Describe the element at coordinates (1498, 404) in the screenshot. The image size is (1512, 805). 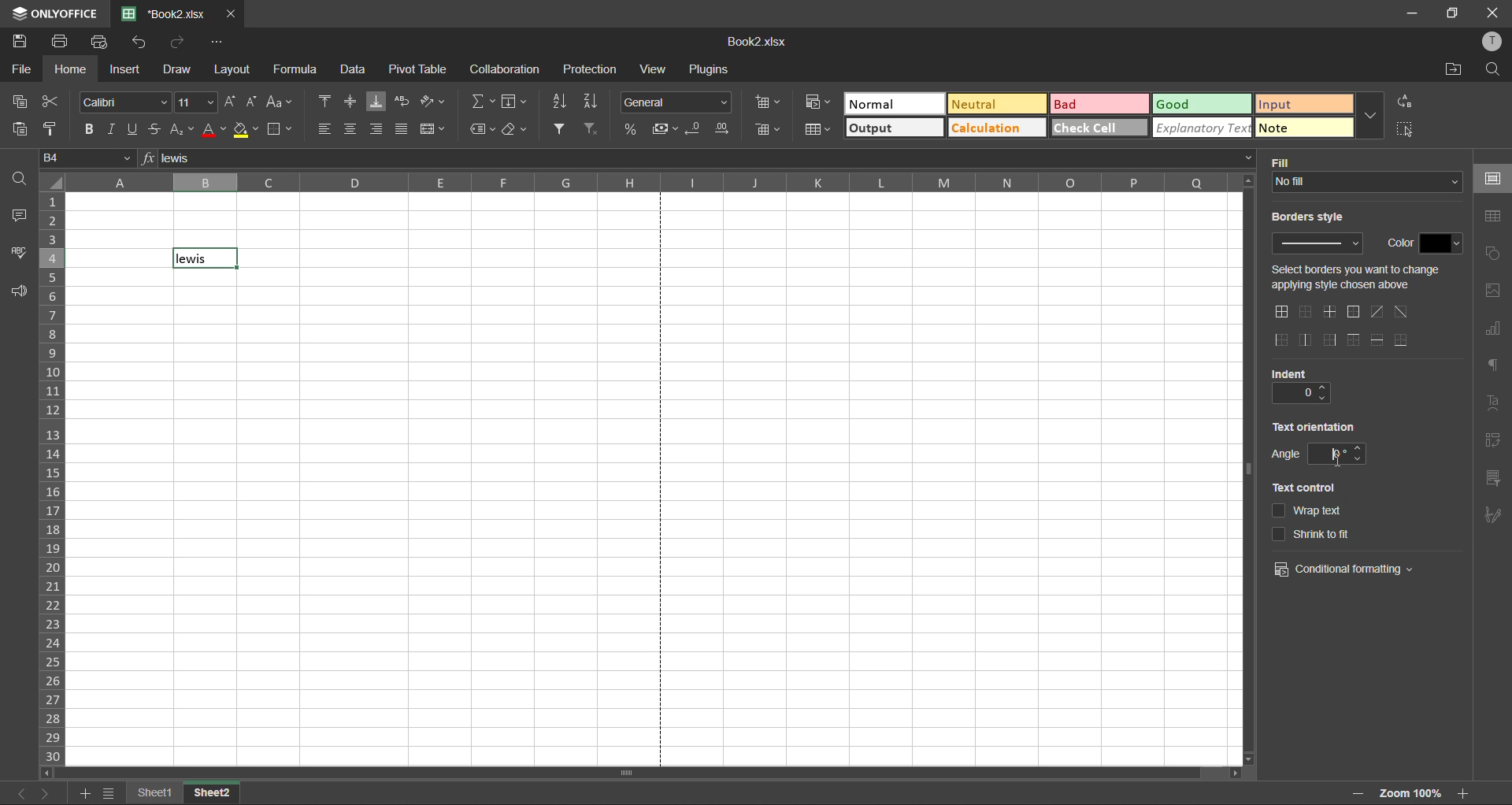
I see `text` at that location.